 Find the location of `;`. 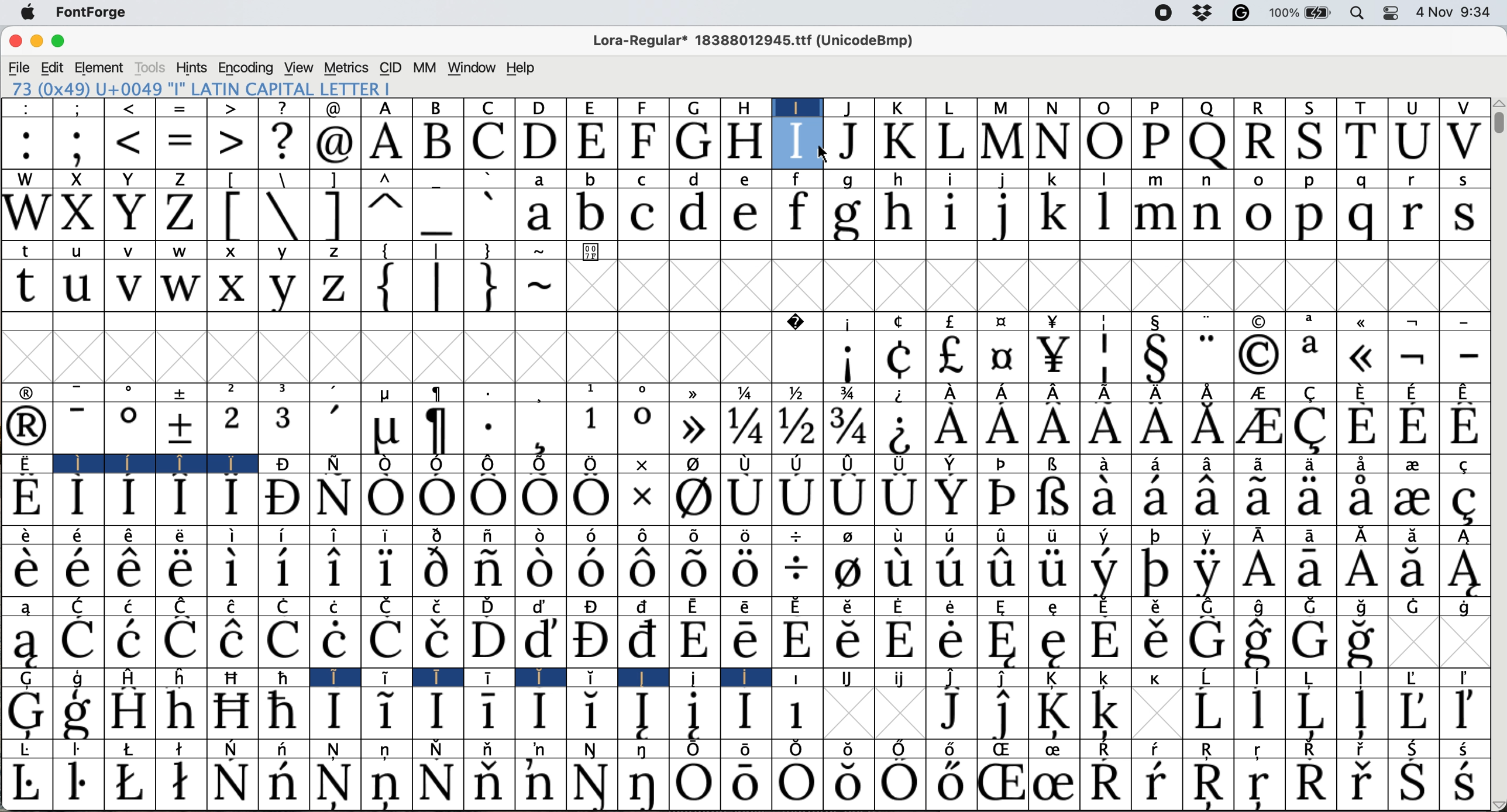

; is located at coordinates (80, 108).